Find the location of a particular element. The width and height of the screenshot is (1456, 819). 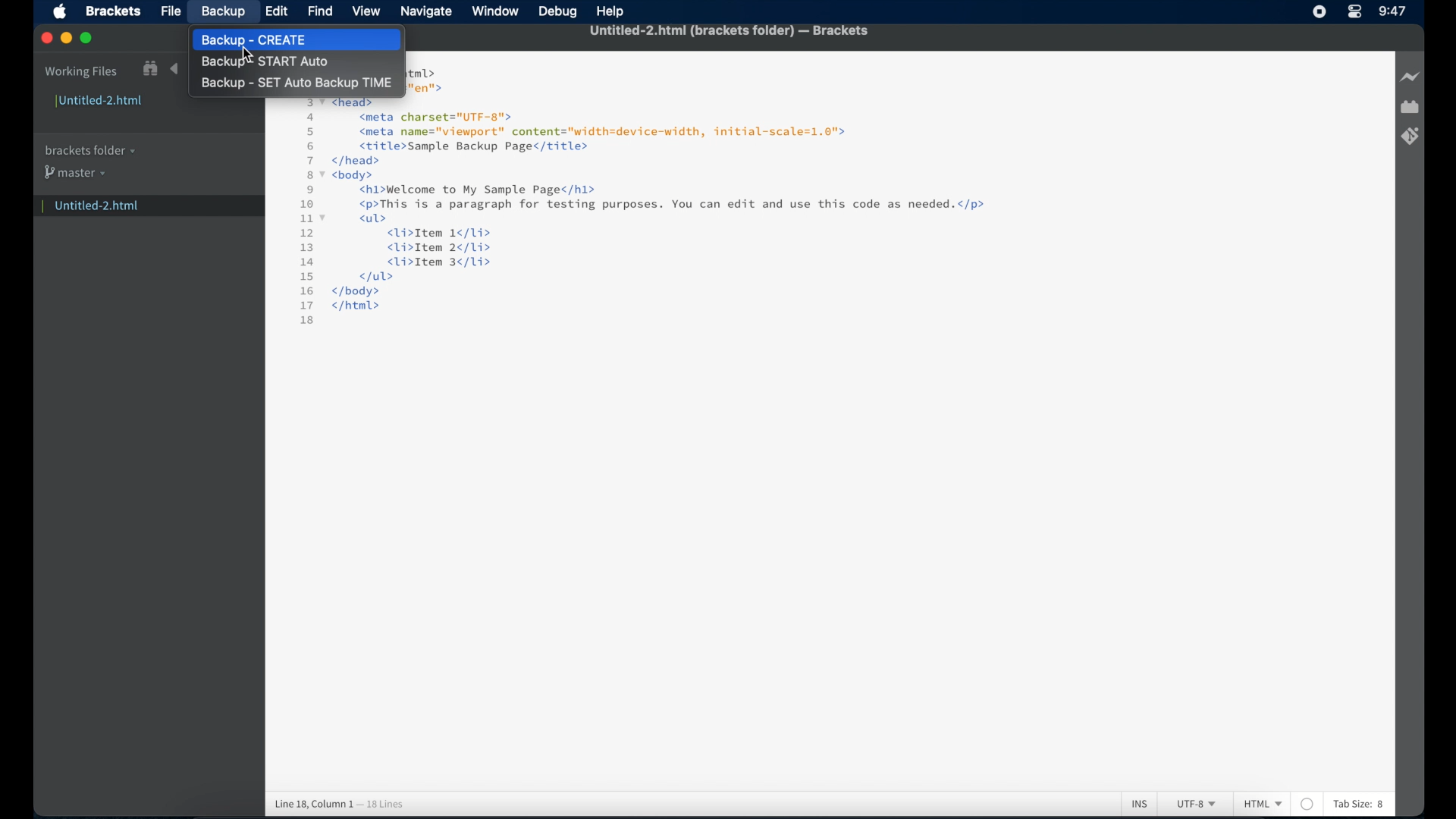

apple icon is located at coordinates (60, 12).